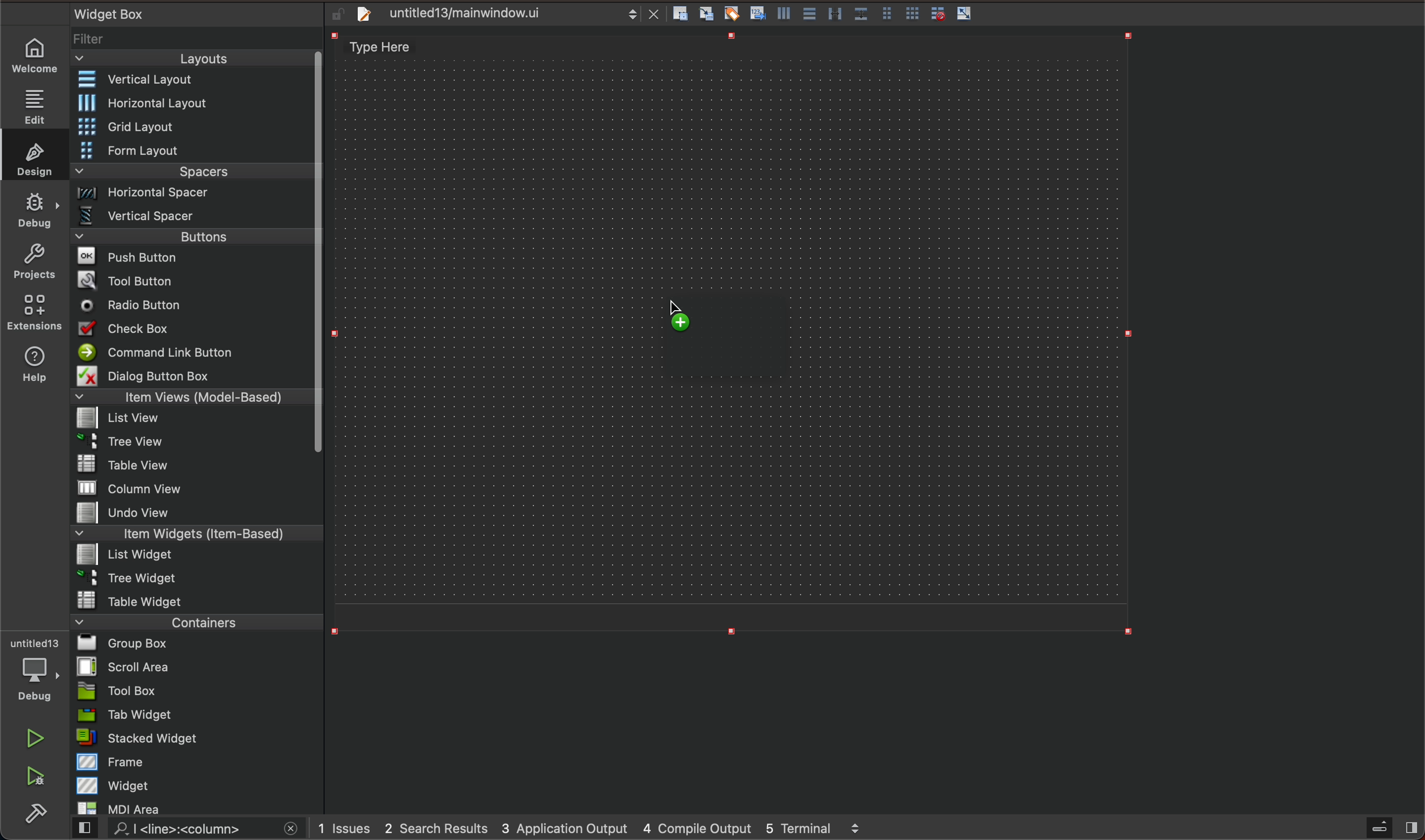  I want to click on stacked widget, so click(194, 739).